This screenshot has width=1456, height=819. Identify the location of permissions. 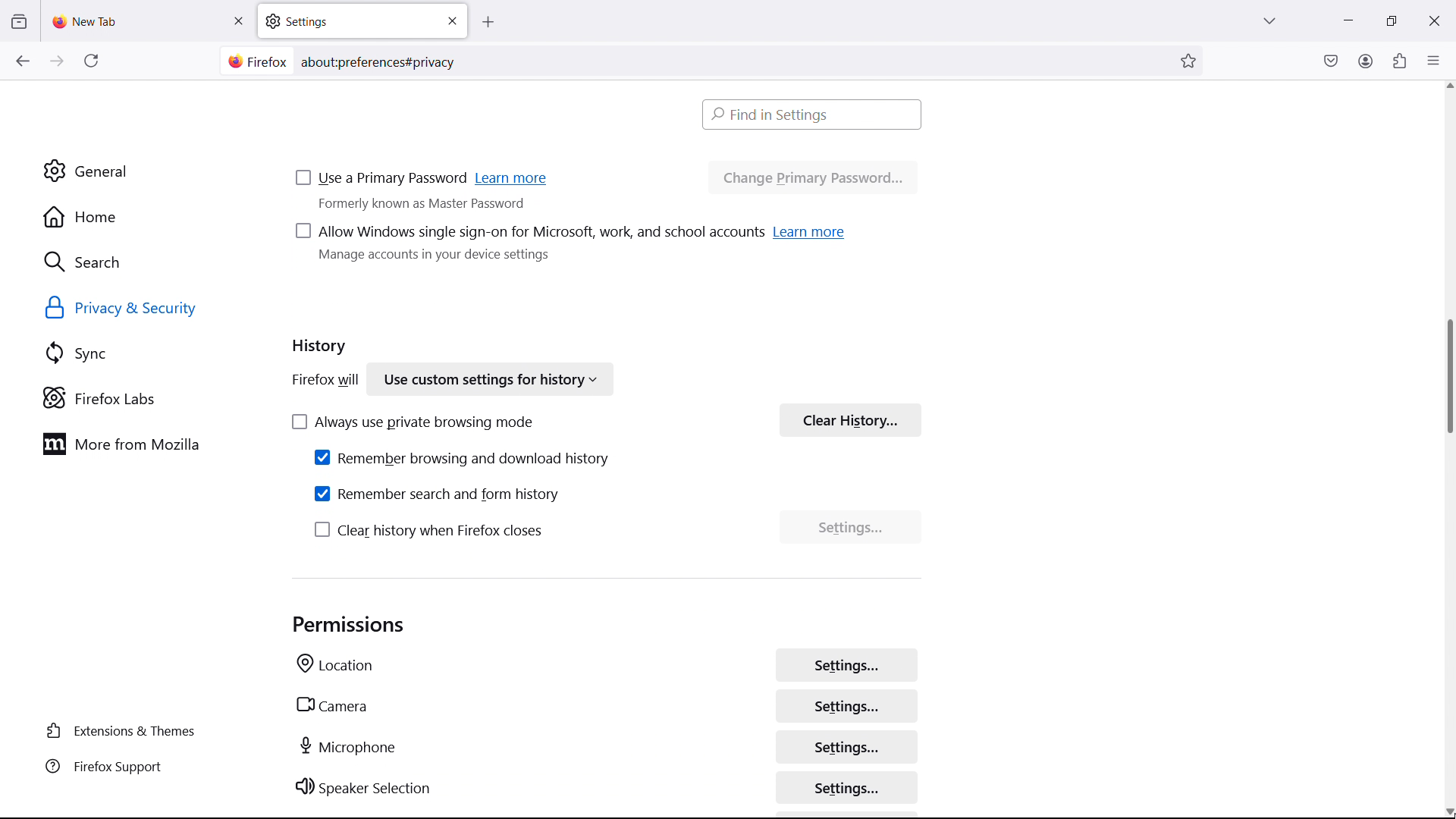
(350, 623).